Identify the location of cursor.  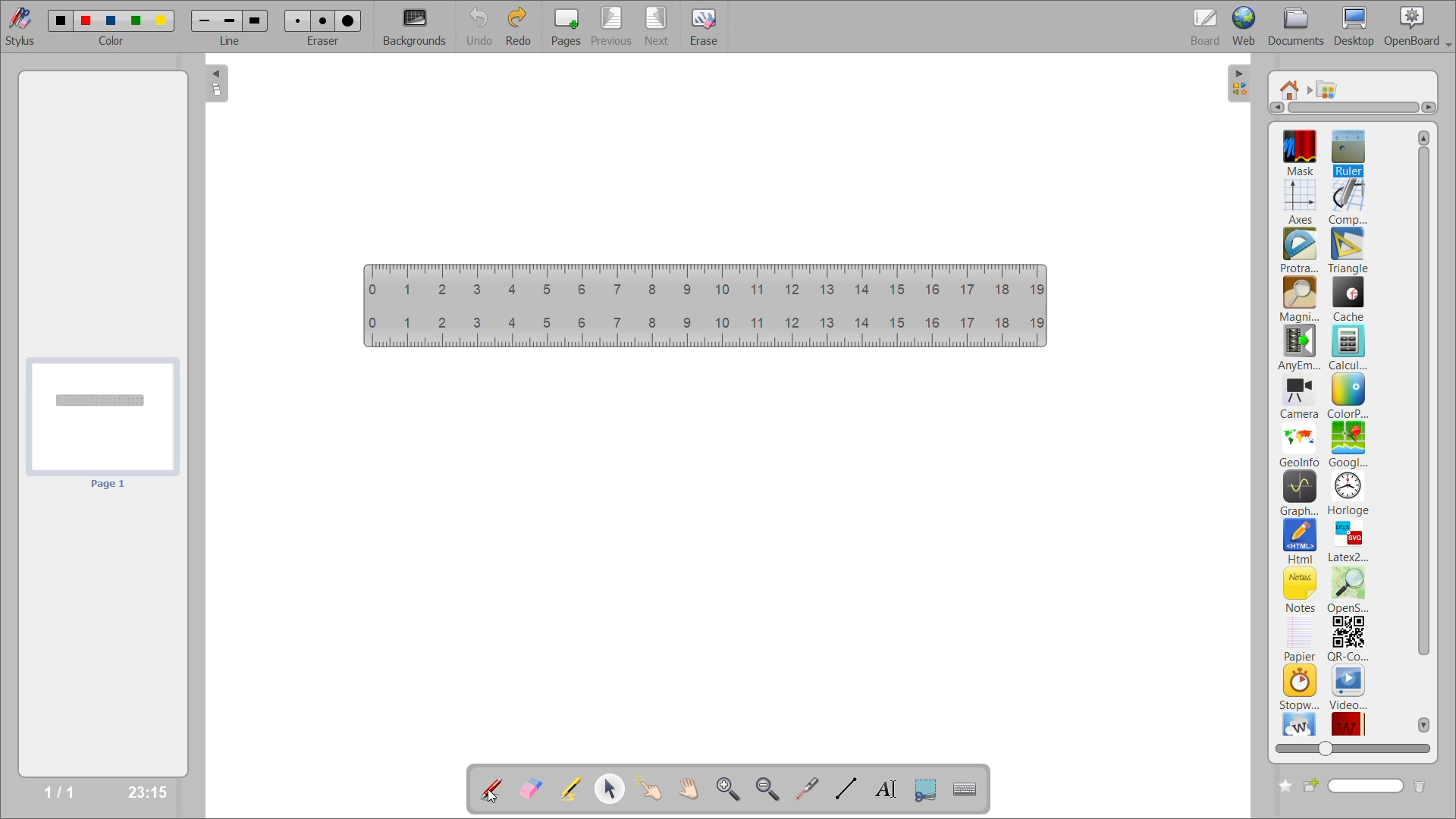
(493, 797).